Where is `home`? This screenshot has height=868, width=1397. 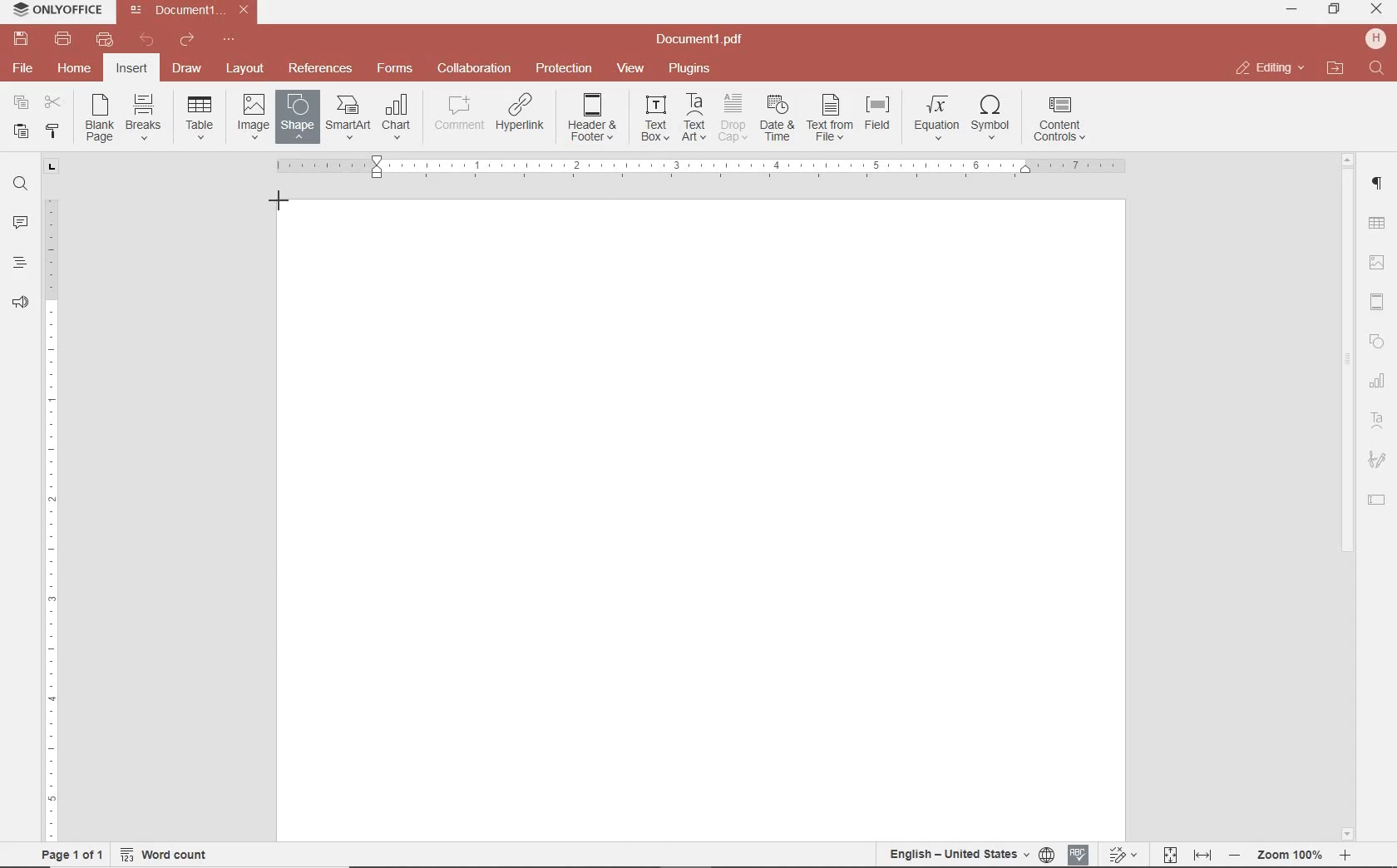
home is located at coordinates (72, 67).